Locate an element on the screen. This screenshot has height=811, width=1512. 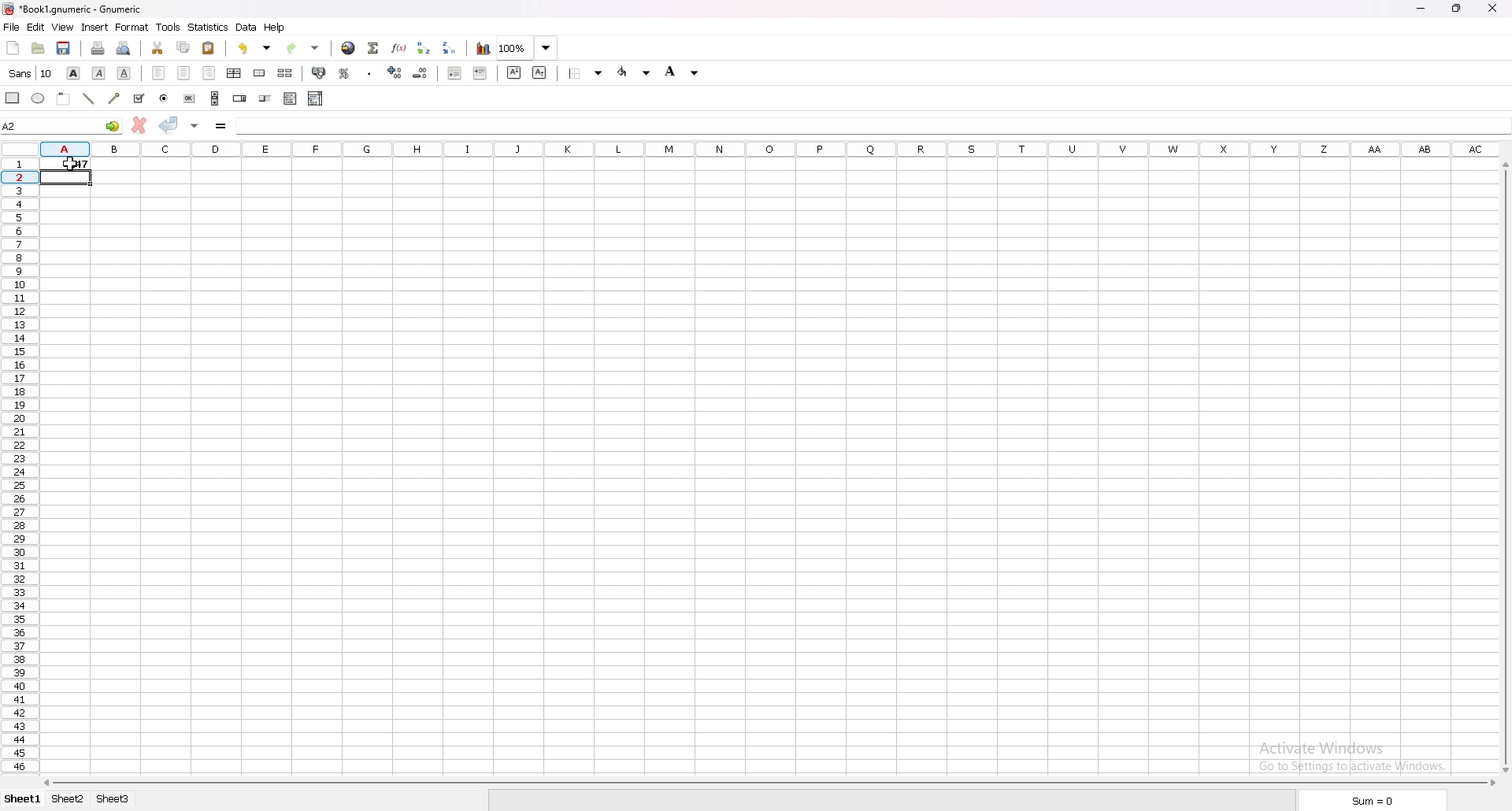
zoom is located at coordinates (527, 48).